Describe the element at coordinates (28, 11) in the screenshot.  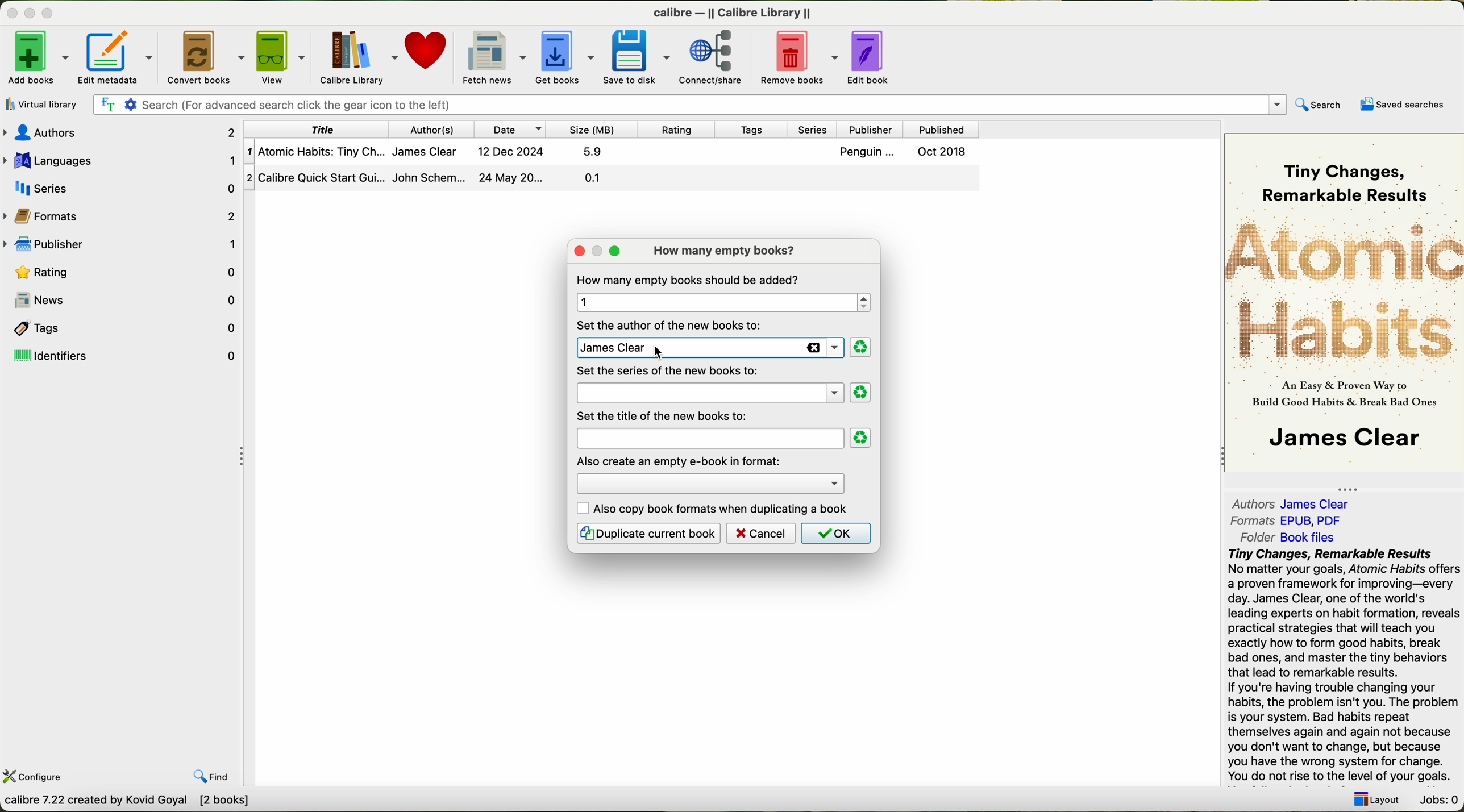
I see `minimize program` at that location.